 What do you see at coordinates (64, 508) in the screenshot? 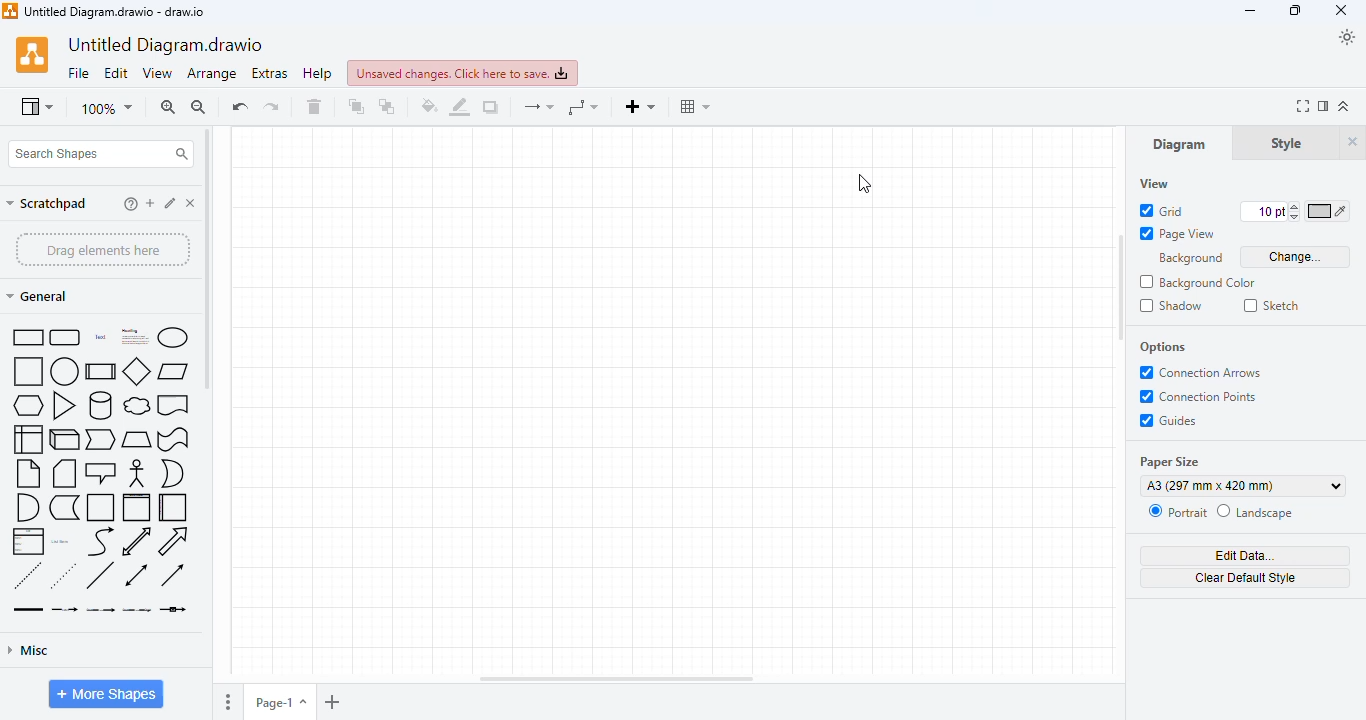
I see `data storage` at bounding box center [64, 508].